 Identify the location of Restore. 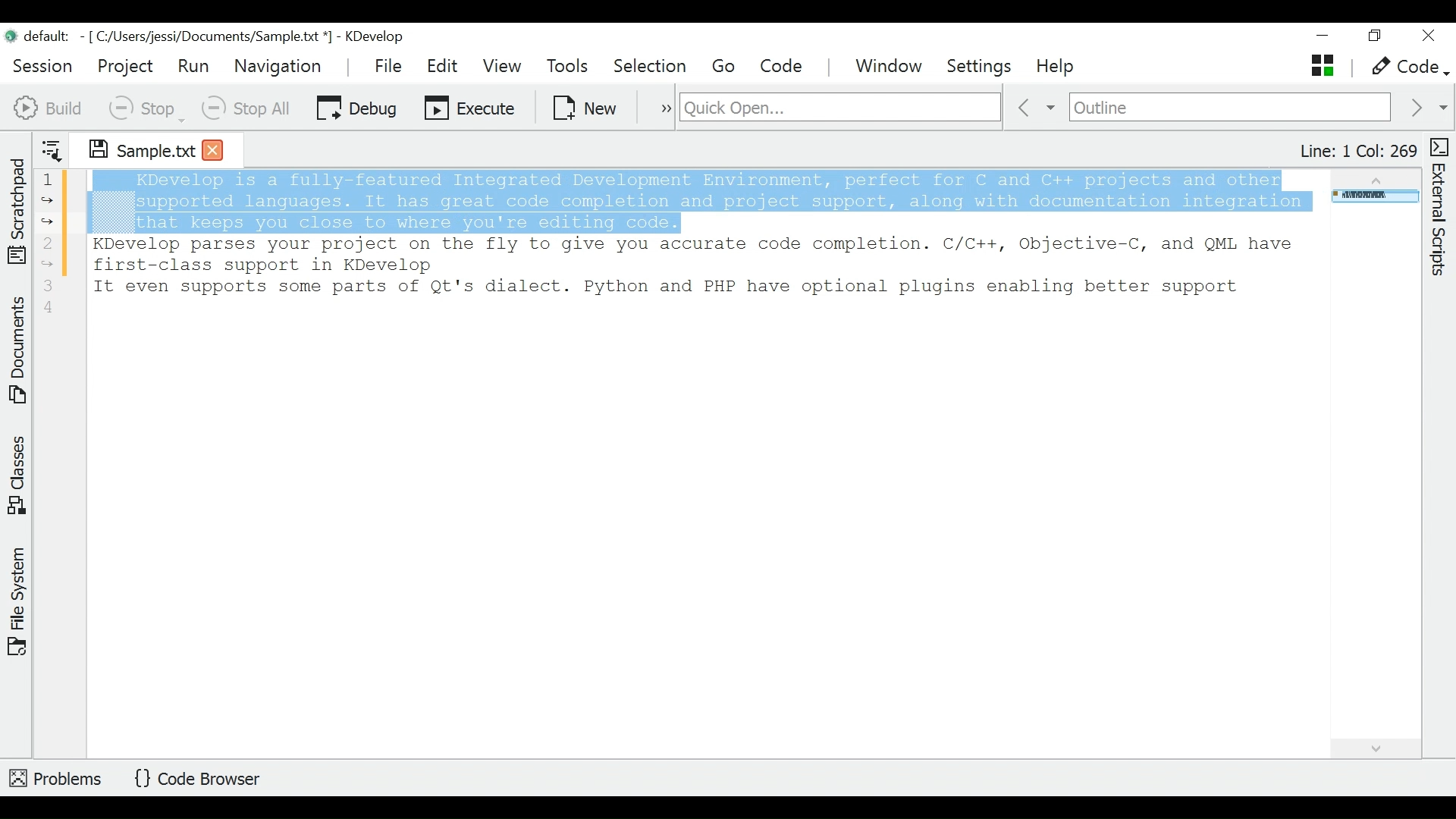
(1373, 38).